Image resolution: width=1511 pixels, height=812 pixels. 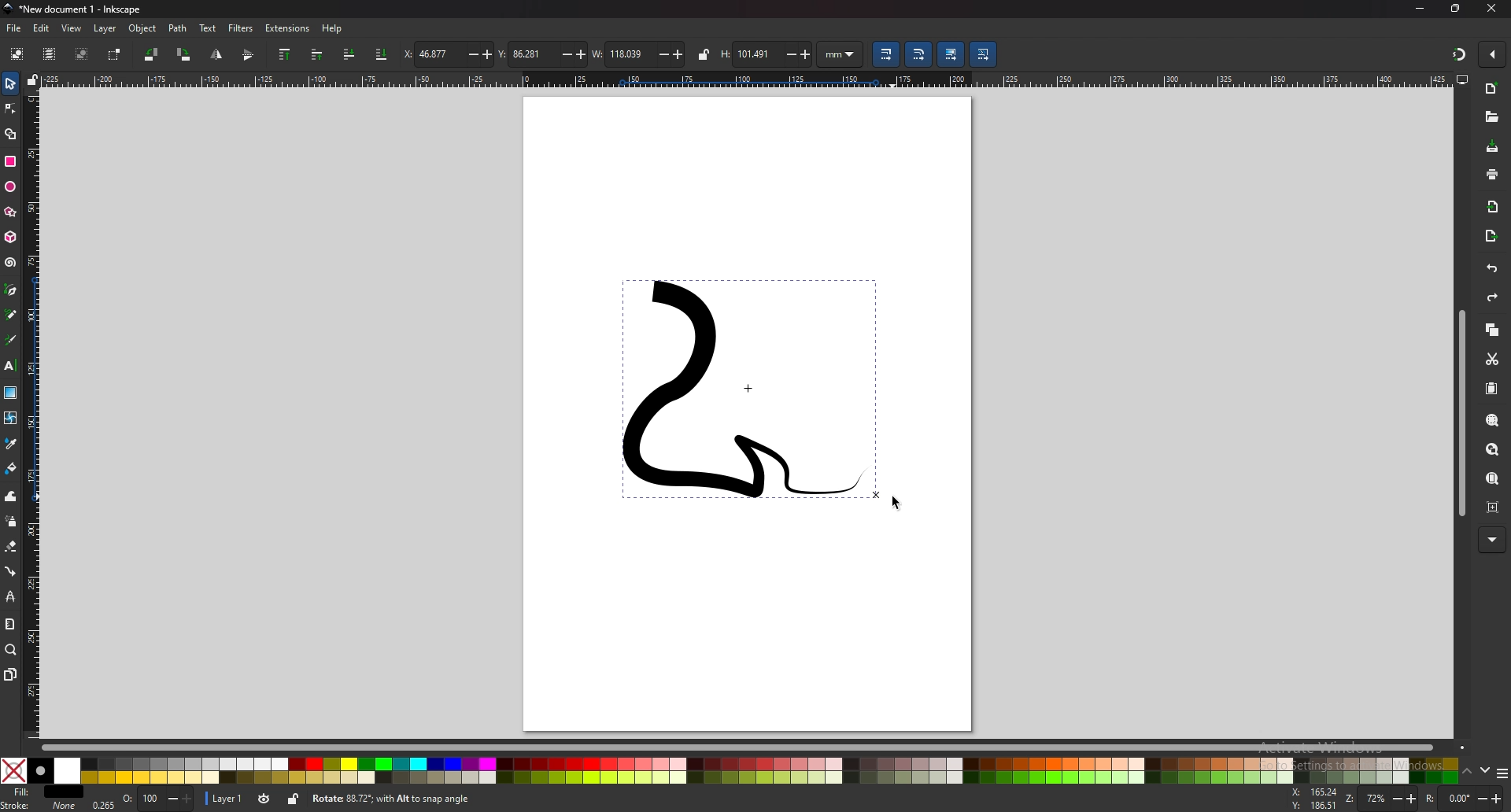 What do you see at coordinates (637, 54) in the screenshot?
I see `width` at bounding box center [637, 54].